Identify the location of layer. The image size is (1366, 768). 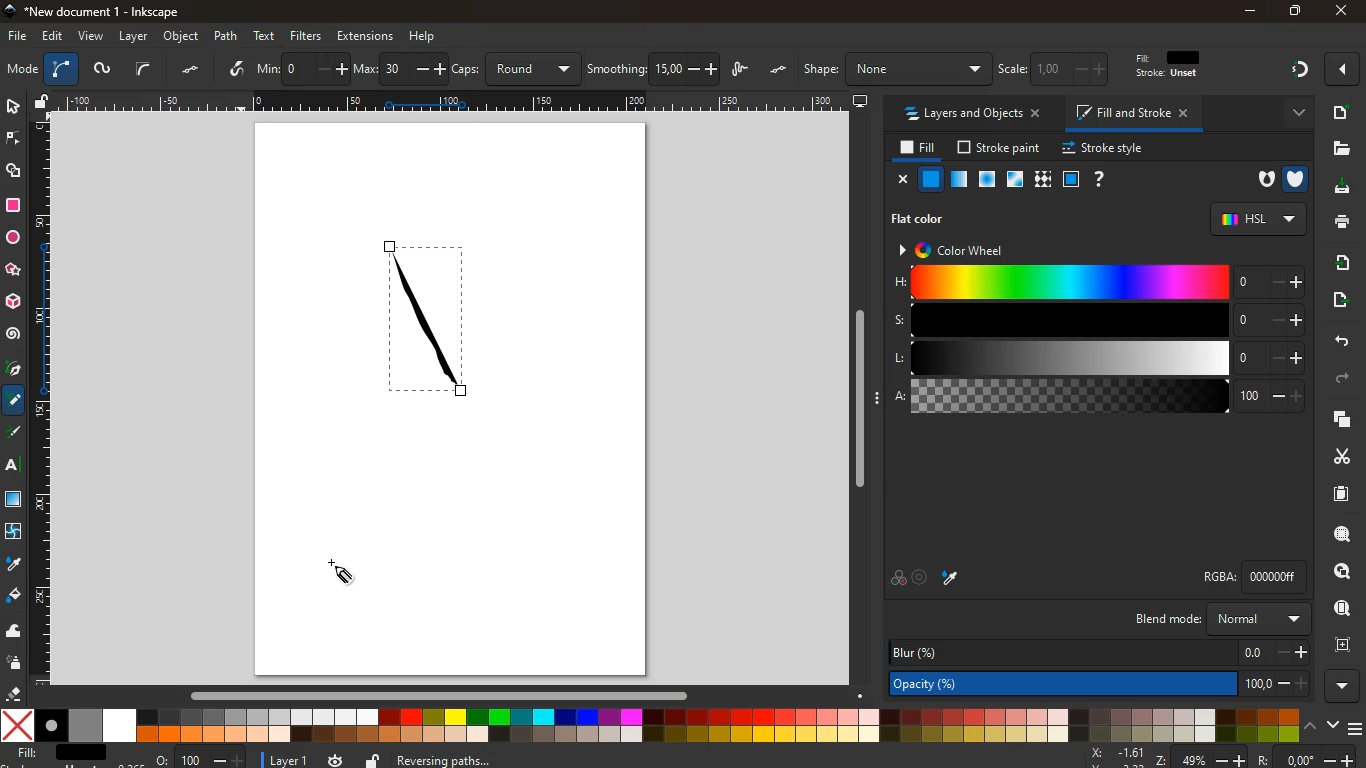
(136, 37).